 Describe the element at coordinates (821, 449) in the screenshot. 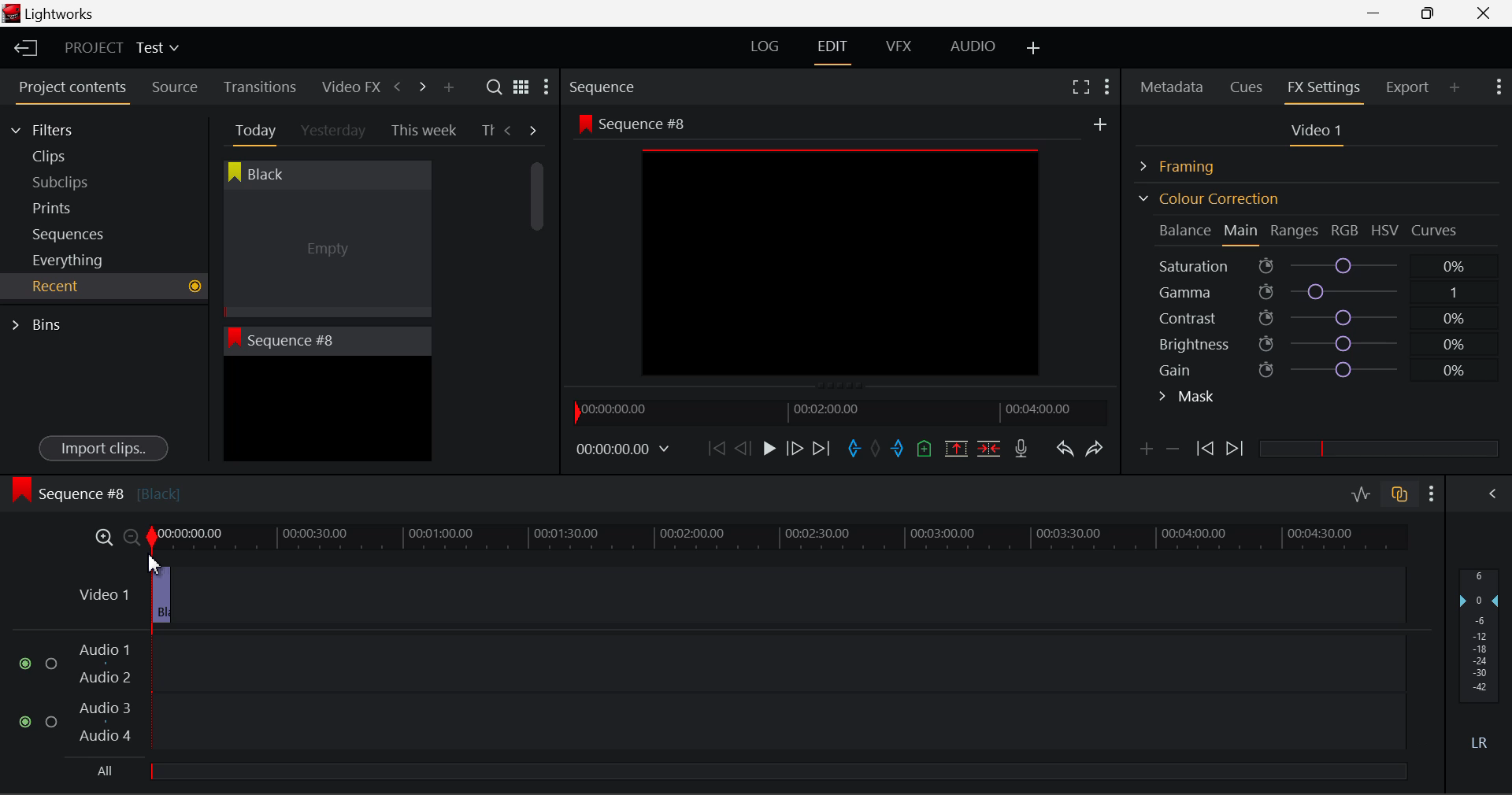

I see `To End` at that location.